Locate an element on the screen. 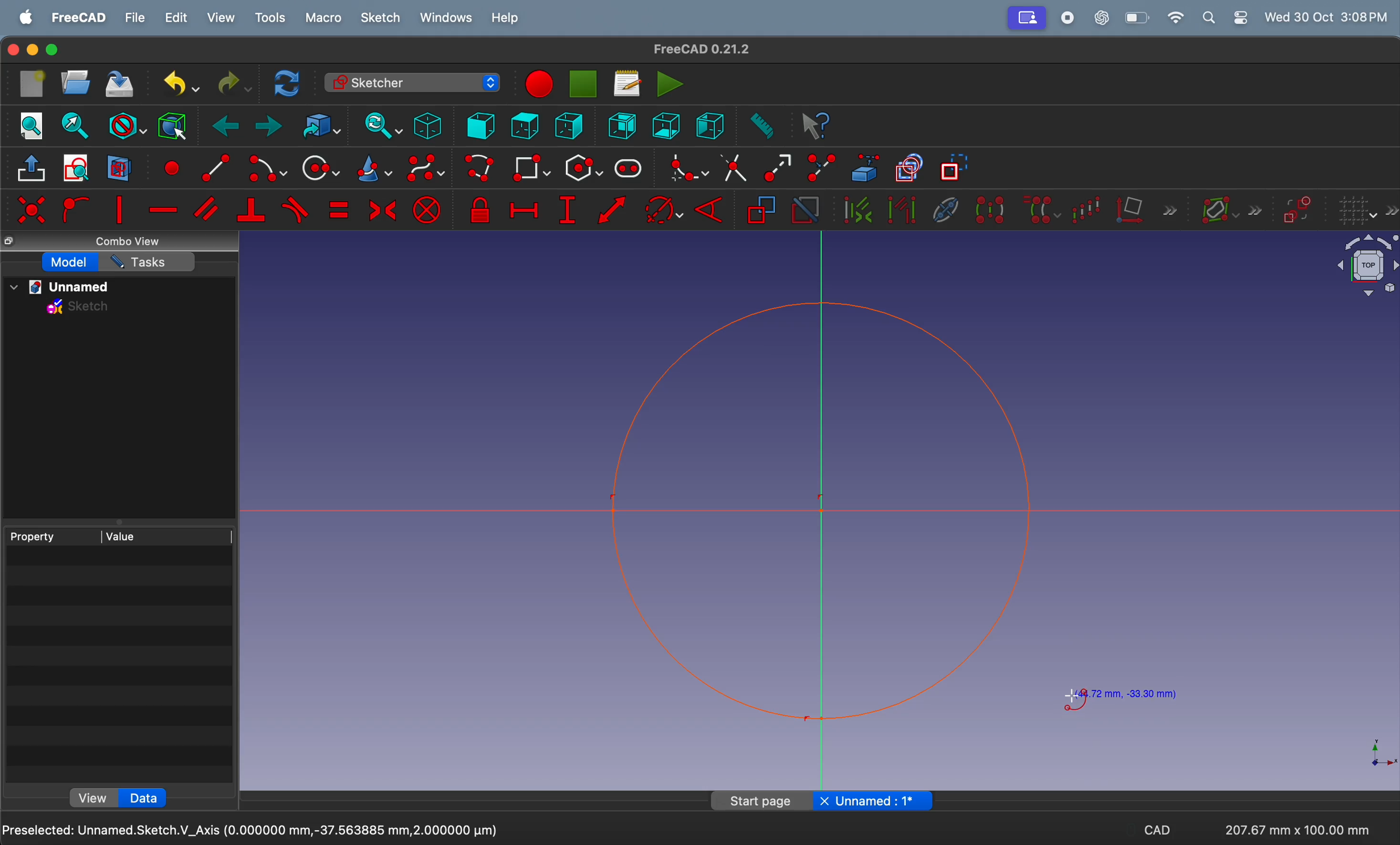 This screenshot has width=1400, height=845. windows is located at coordinates (447, 18).